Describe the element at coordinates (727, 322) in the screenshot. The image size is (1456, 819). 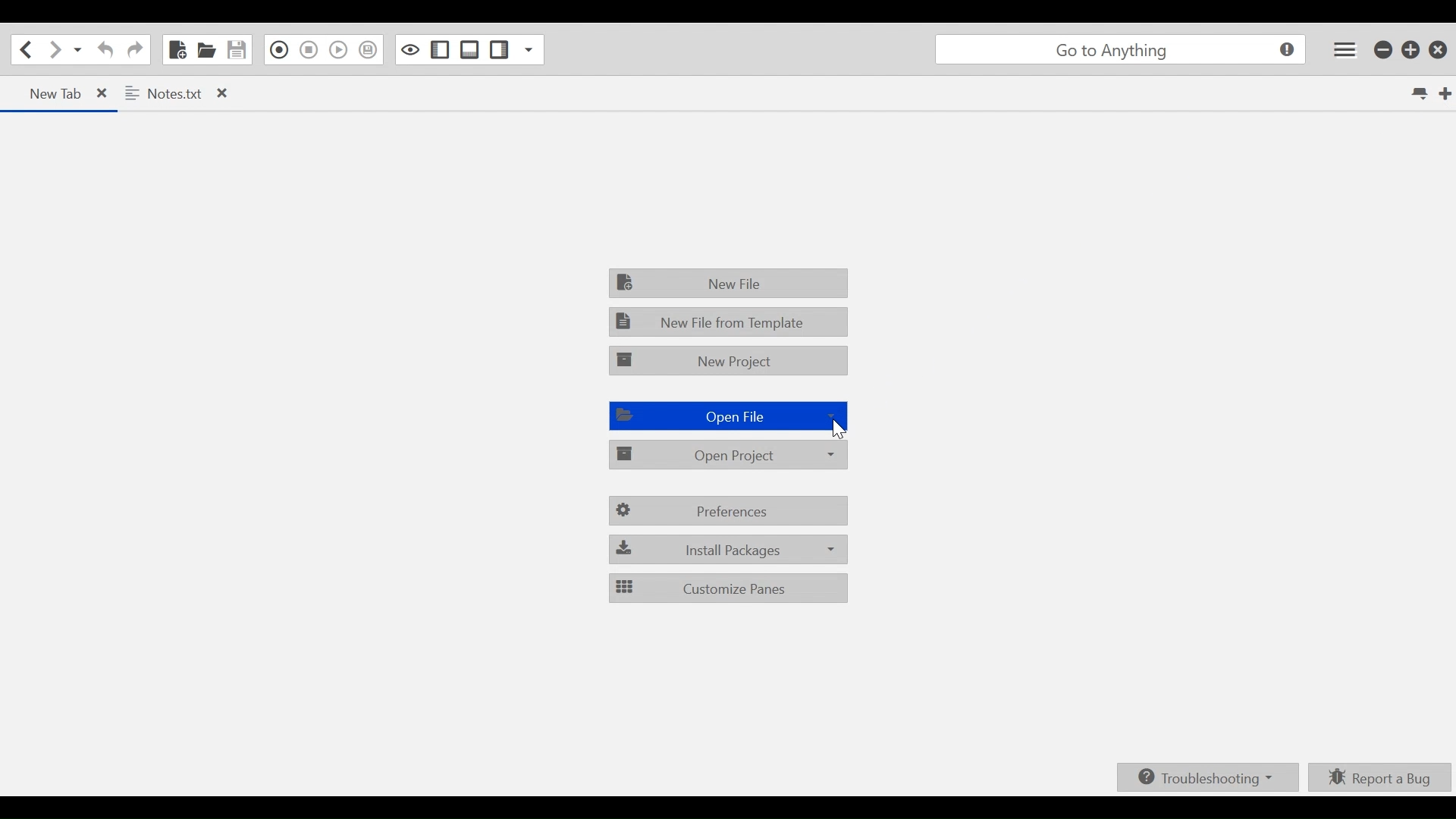
I see `New File from Template` at that location.